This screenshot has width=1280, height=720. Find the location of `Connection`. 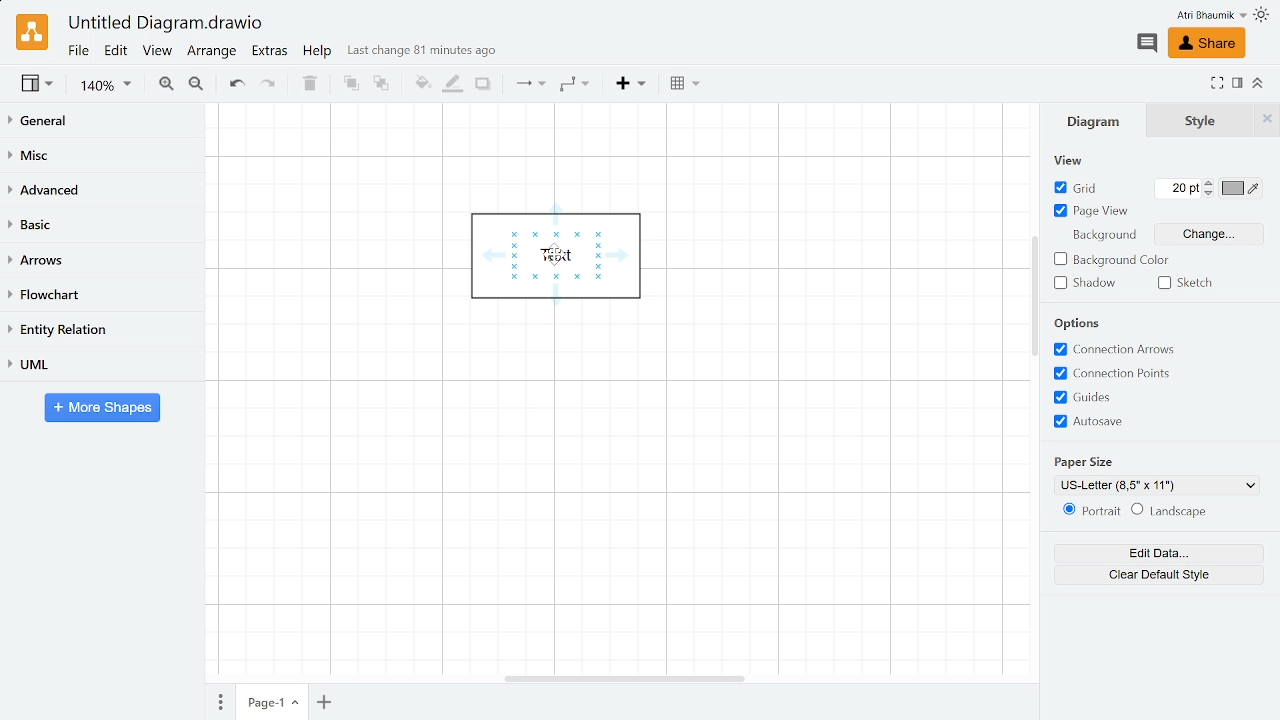

Connection is located at coordinates (526, 85).